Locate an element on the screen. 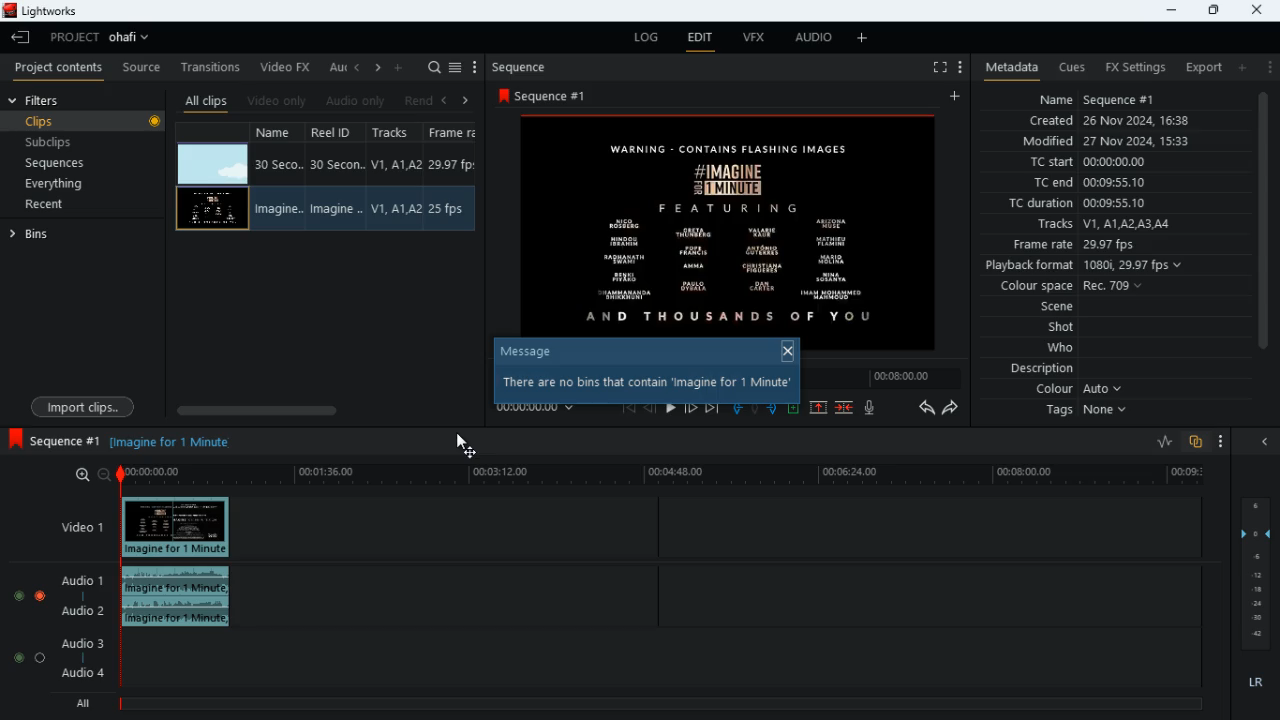 The height and width of the screenshot is (720, 1280). mic is located at coordinates (874, 410).